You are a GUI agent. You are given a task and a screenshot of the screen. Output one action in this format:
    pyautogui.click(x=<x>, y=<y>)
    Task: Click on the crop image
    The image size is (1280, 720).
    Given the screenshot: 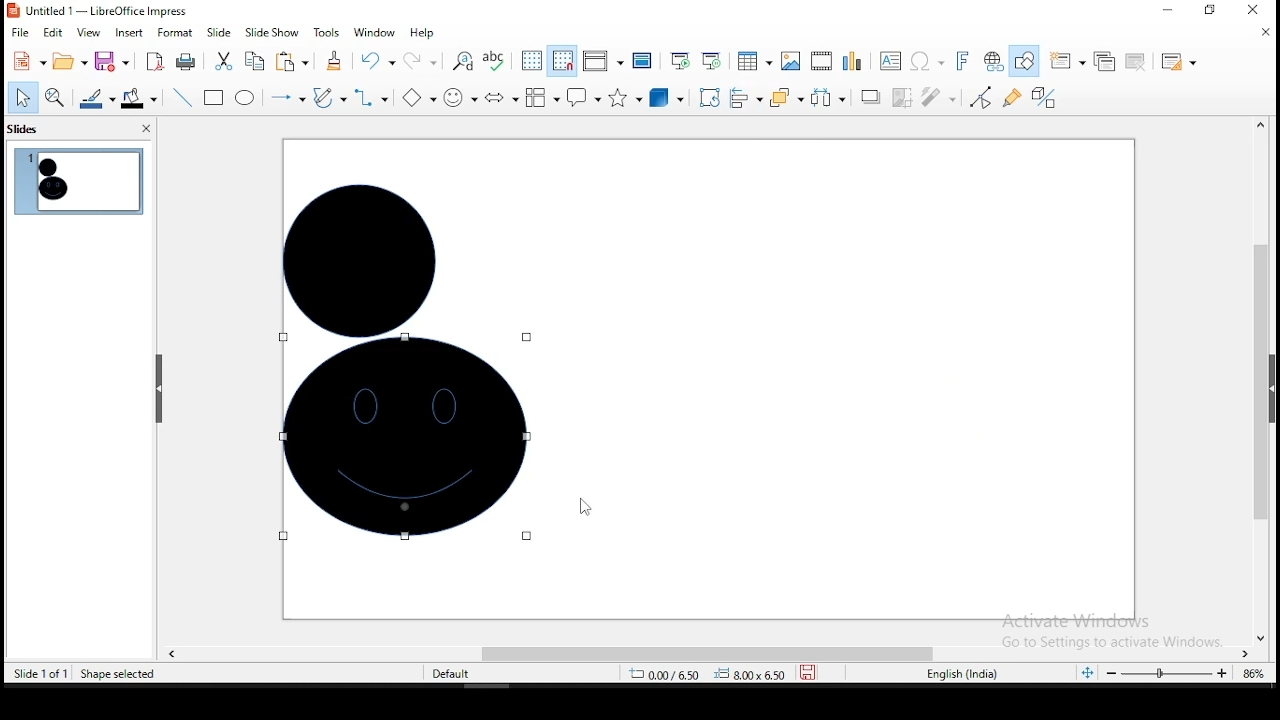 What is the action you would take?
    pyautogui.click(x=902, y=97)
    